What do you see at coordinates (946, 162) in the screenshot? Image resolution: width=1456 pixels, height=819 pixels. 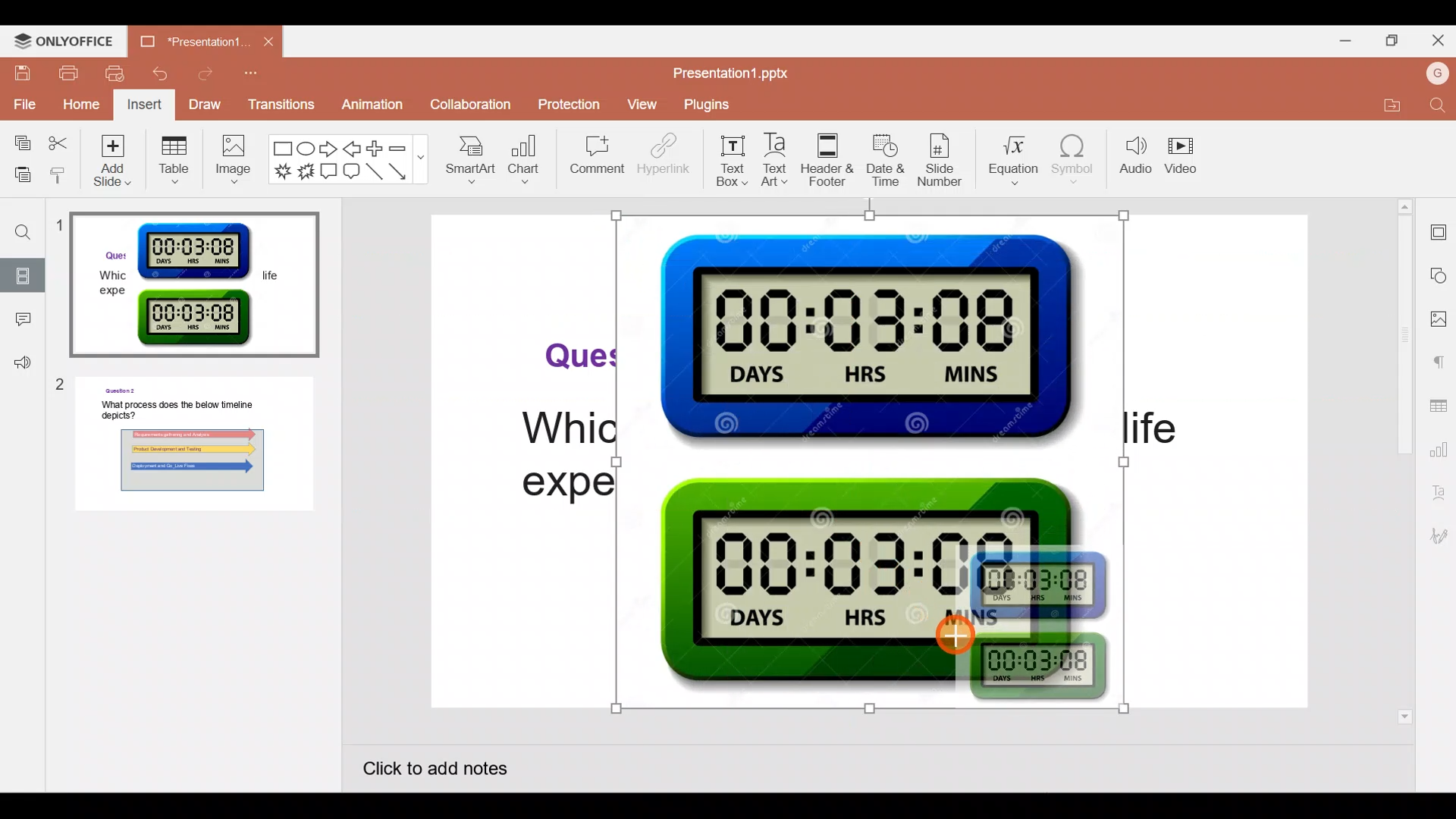 I see `Slide number` at bounding box center [946, 162].